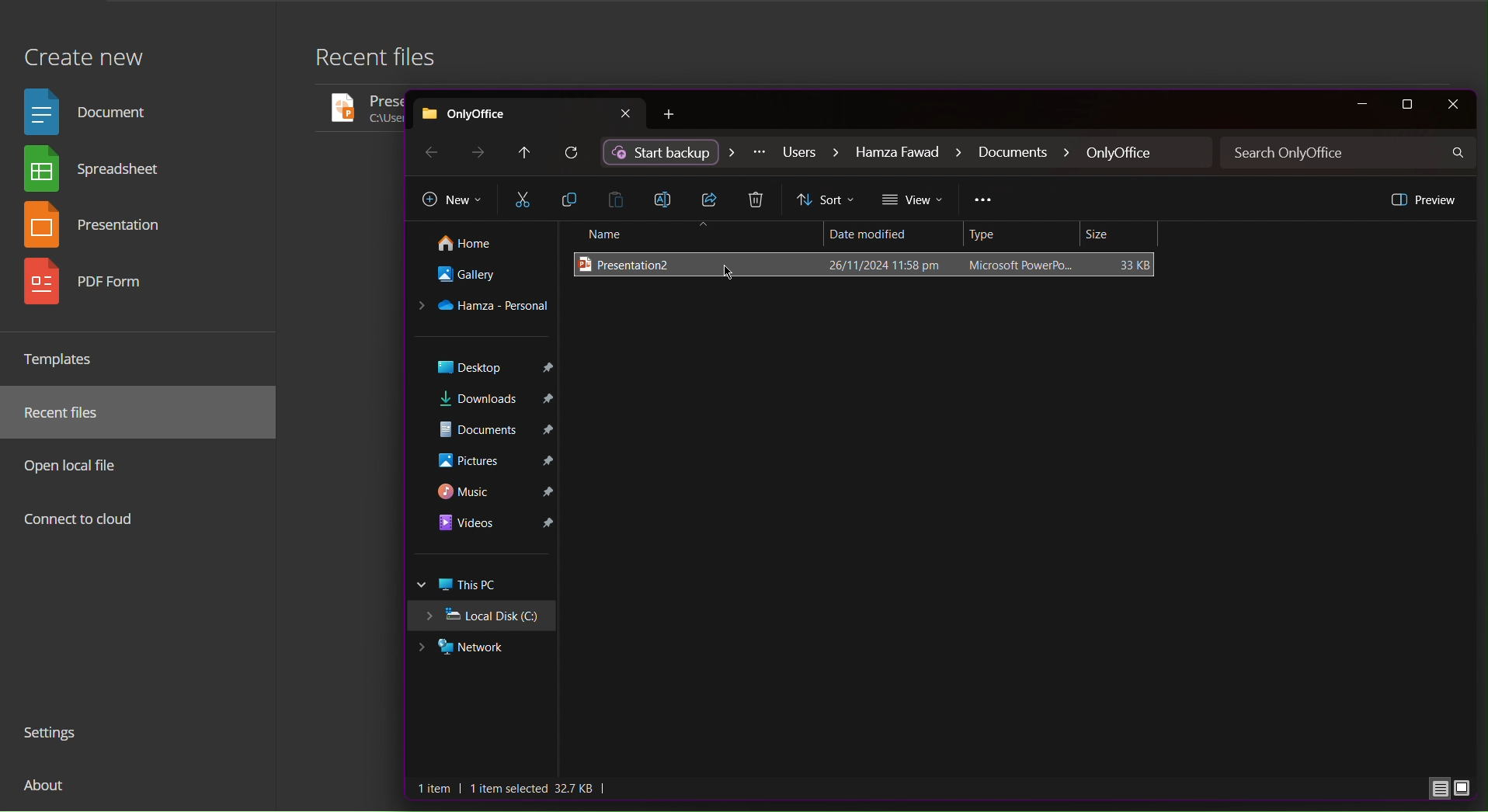 The image size is (1488, 812). I want to click on Share, so click(713, 200).